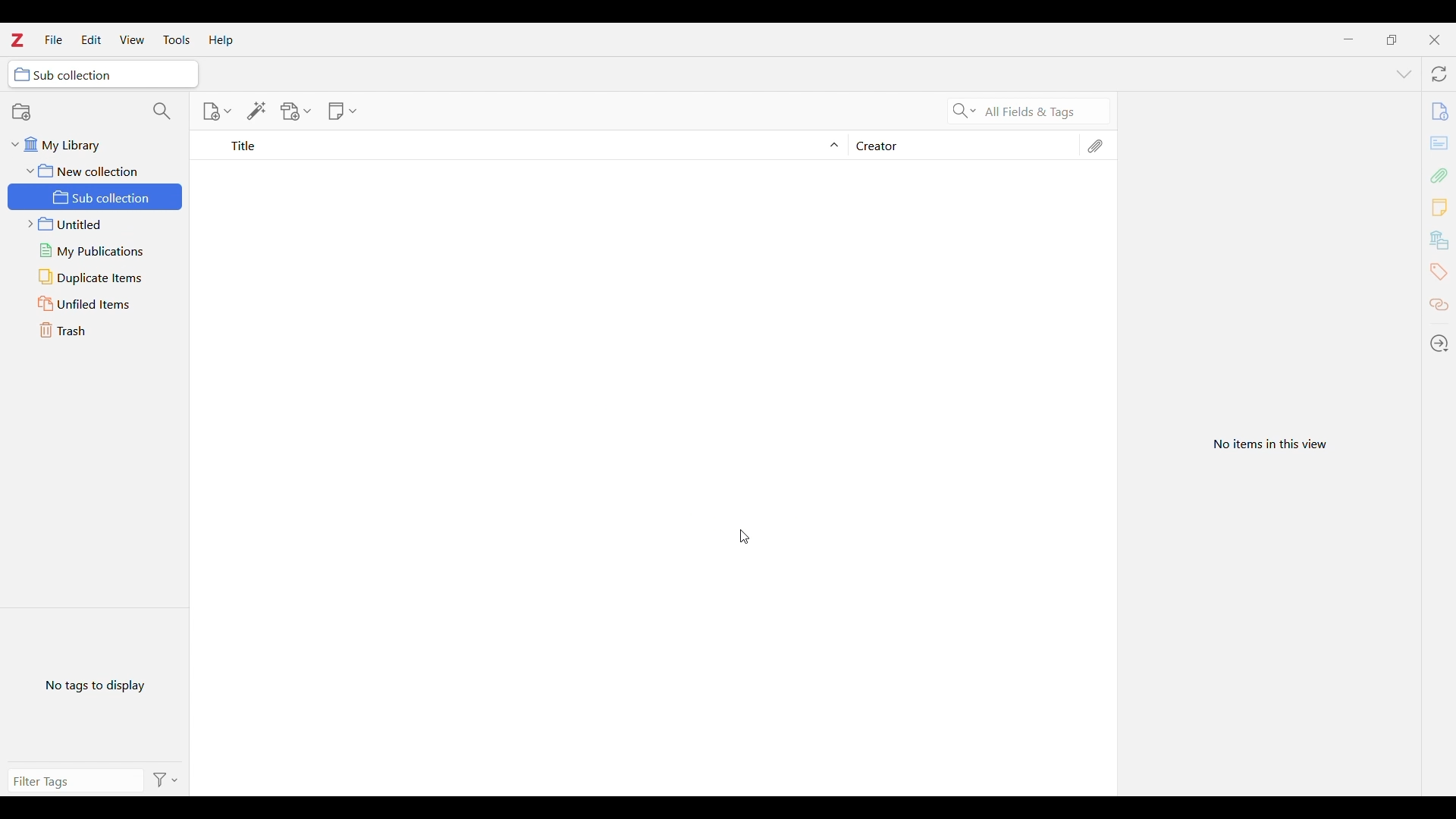 Image resolution: width=1456 pixels, height=819 pixels. I want to click on Add attachment , so click(1440, 175).